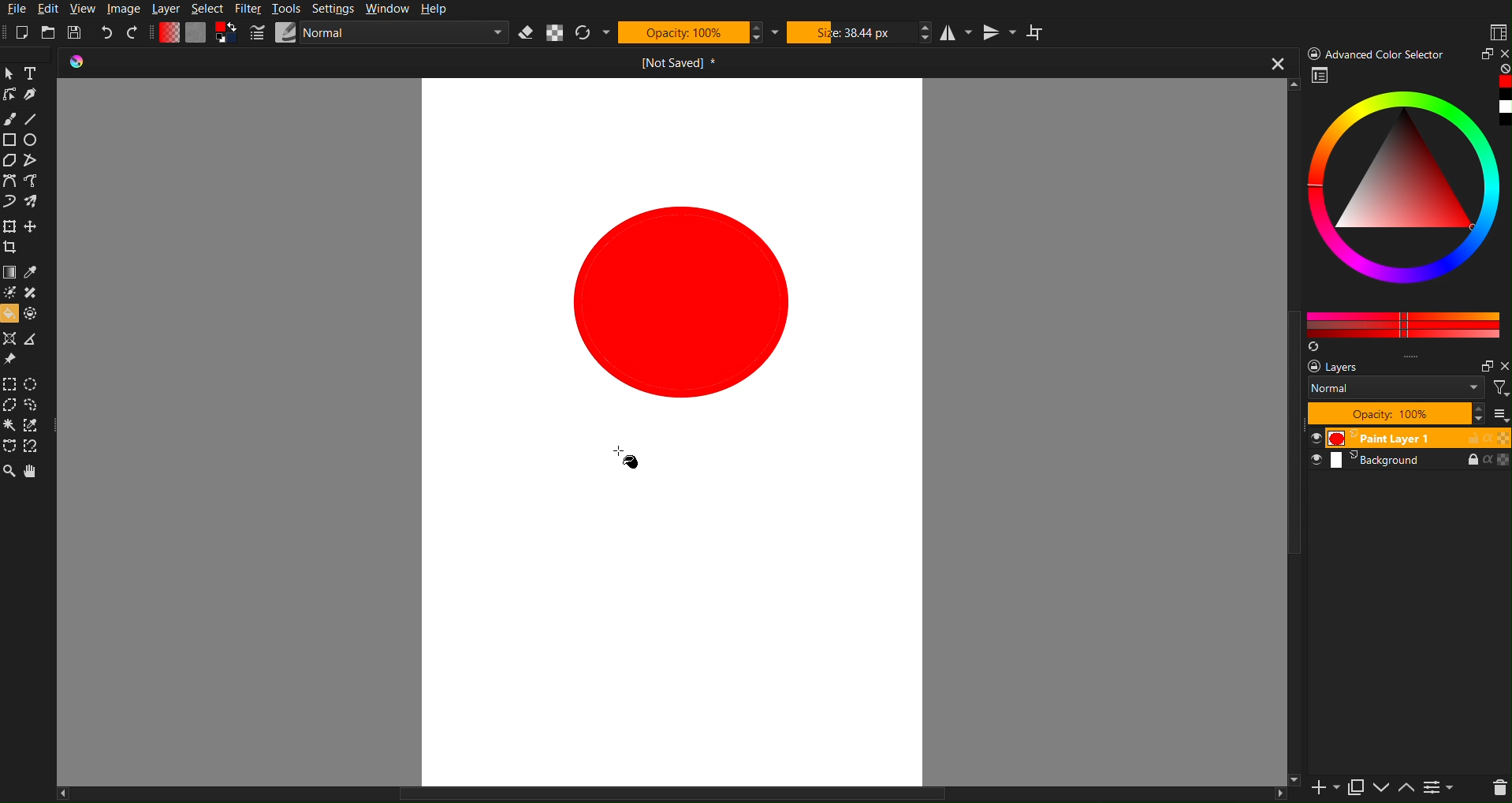 This screenshot has height=803, width=1512. Describe the element at coordinates (9, 428) in the screenshot. I see `magic Wand` at that location.